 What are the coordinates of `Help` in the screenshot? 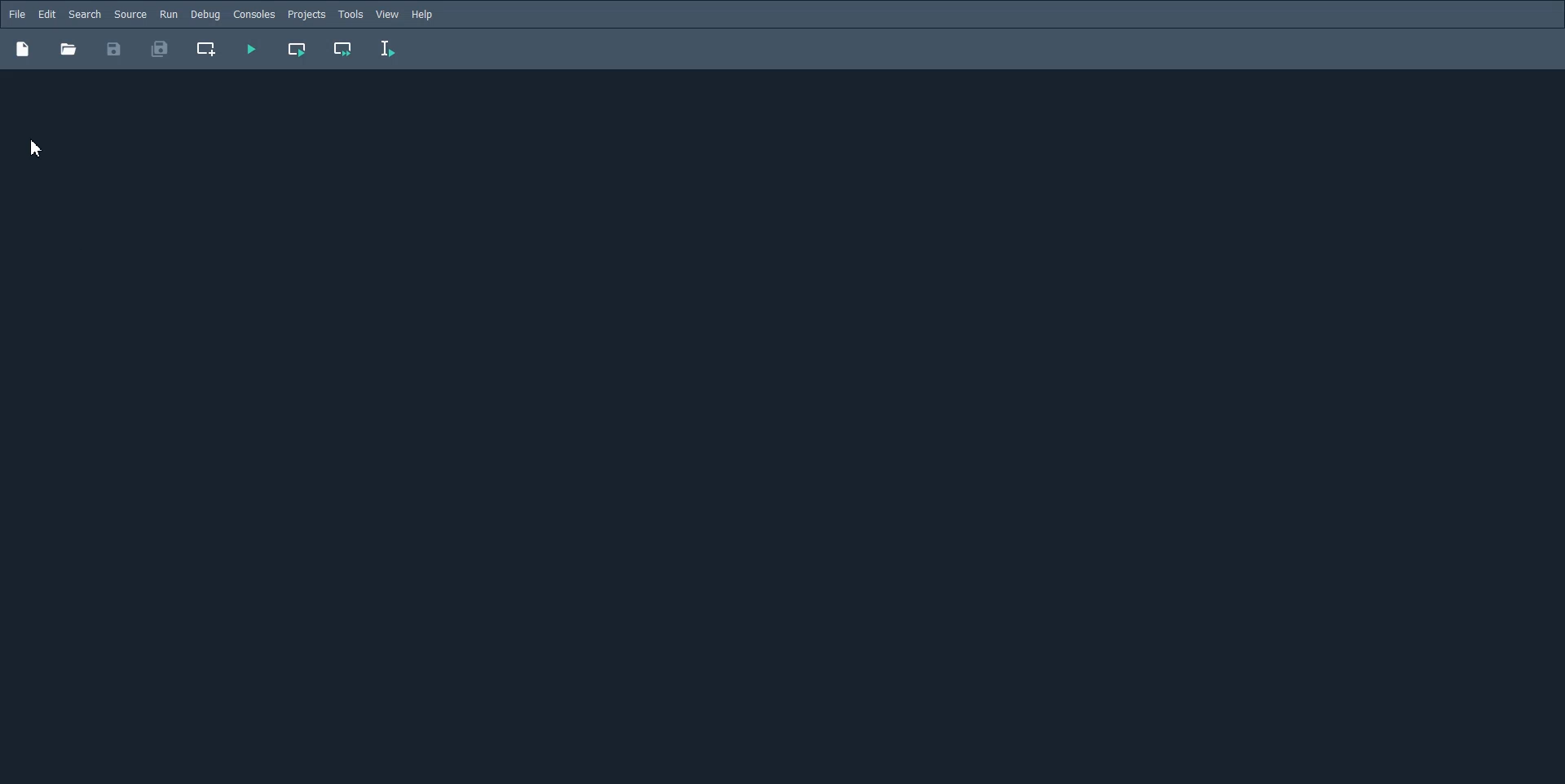 It's located at (424, 15).